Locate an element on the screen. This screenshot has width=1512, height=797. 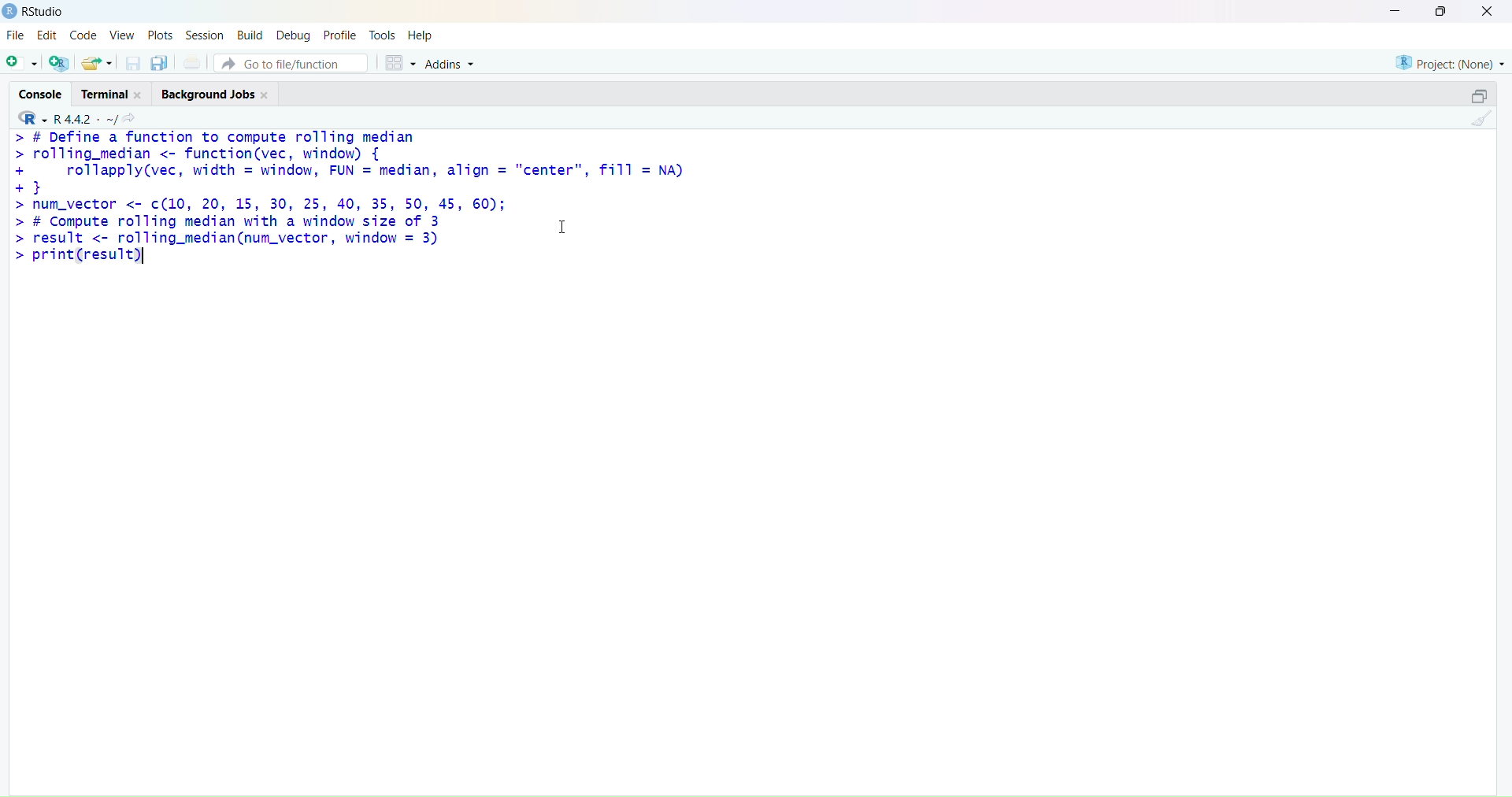
edit is located at coordinates (47, 35).